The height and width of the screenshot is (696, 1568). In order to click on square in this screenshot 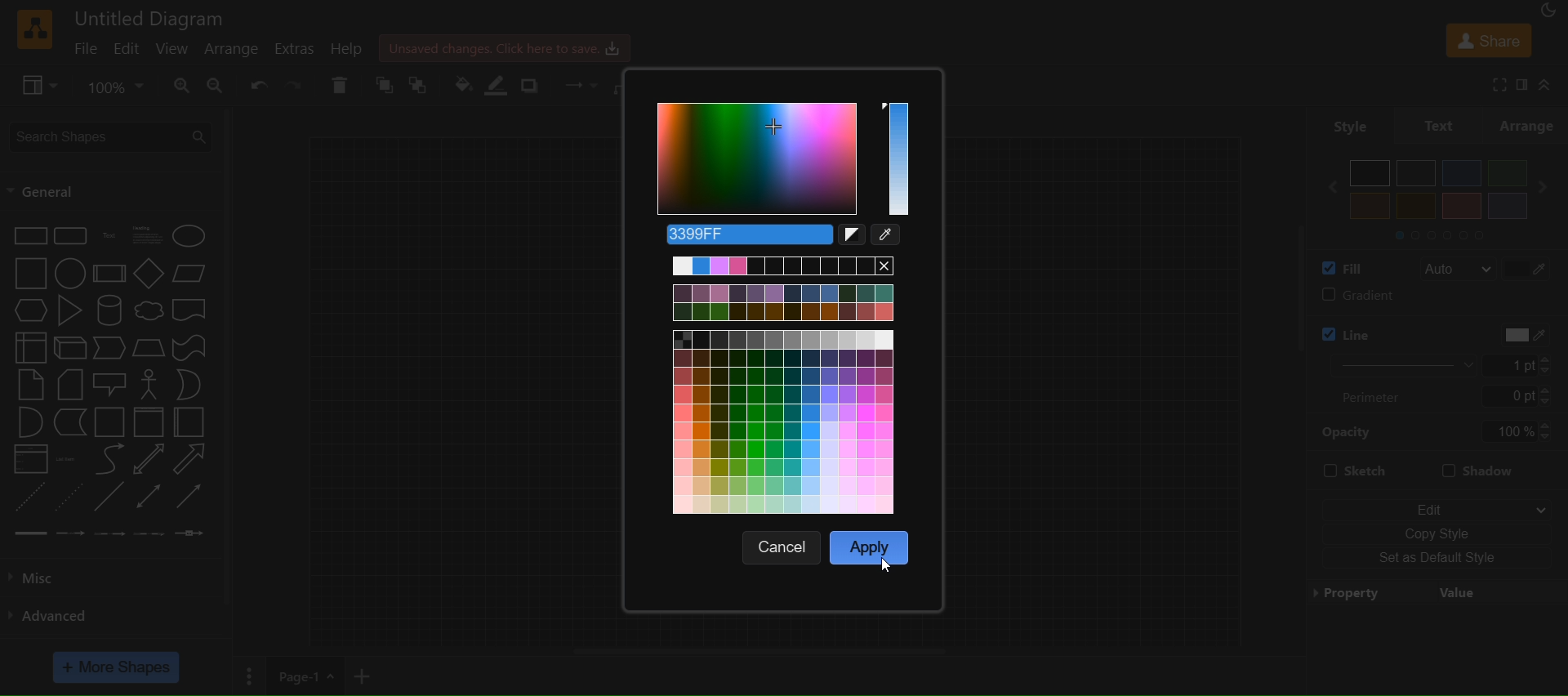, I will do `click(30, 274)`.